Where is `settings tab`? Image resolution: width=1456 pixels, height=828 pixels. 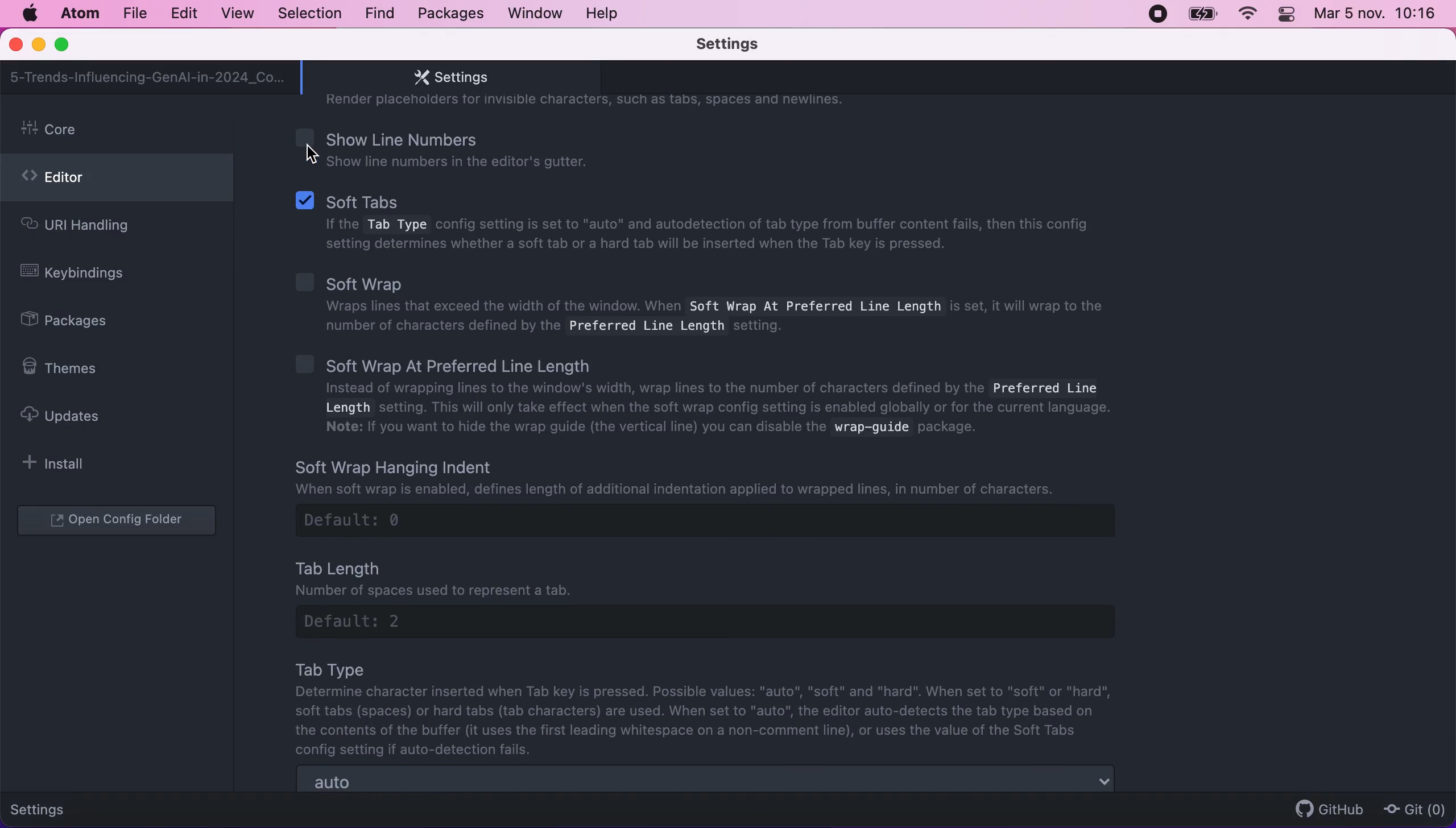 settings tab is located at coordinates (445, 77).